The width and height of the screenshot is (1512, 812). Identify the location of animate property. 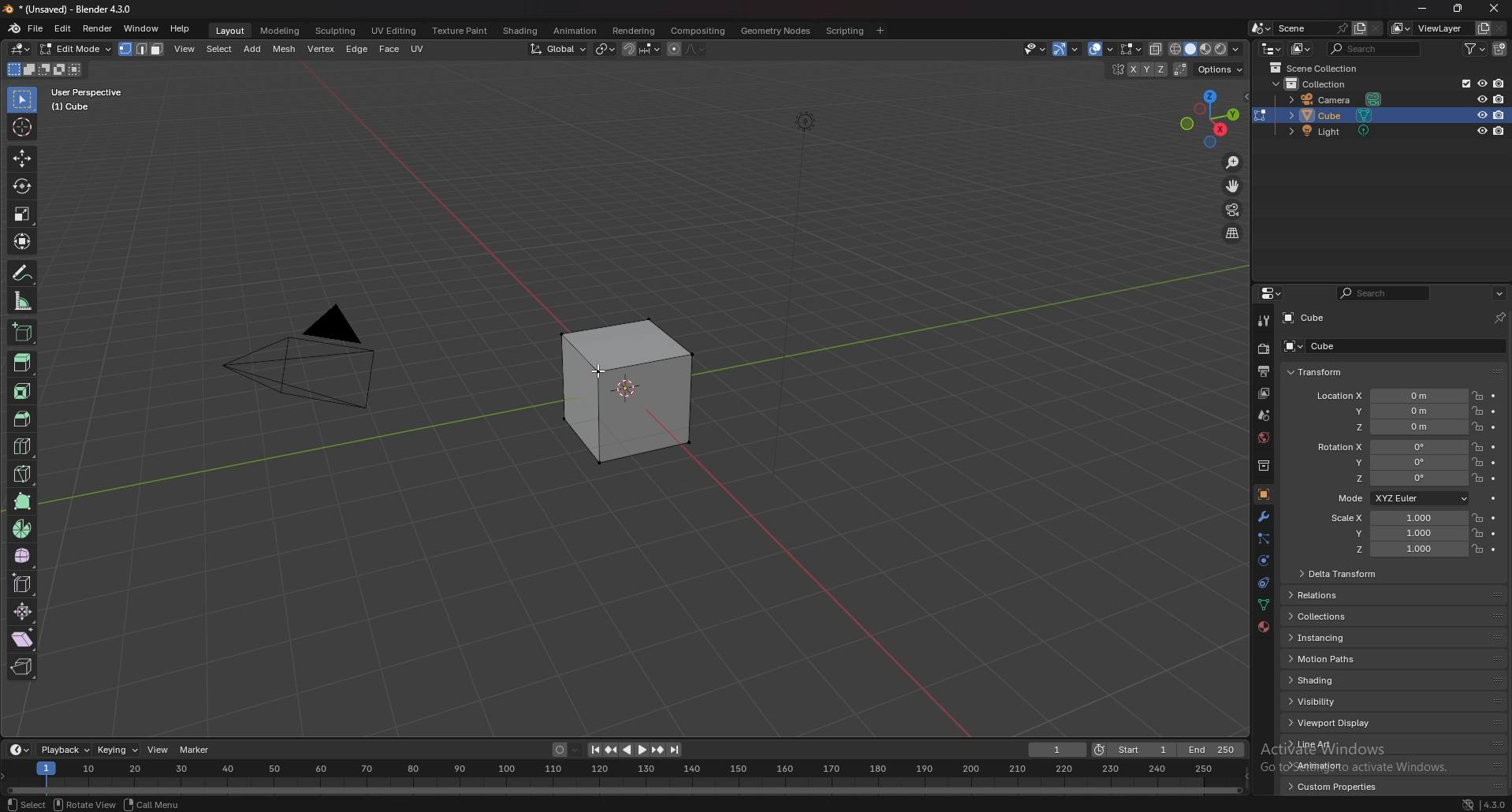
(1494, 411).